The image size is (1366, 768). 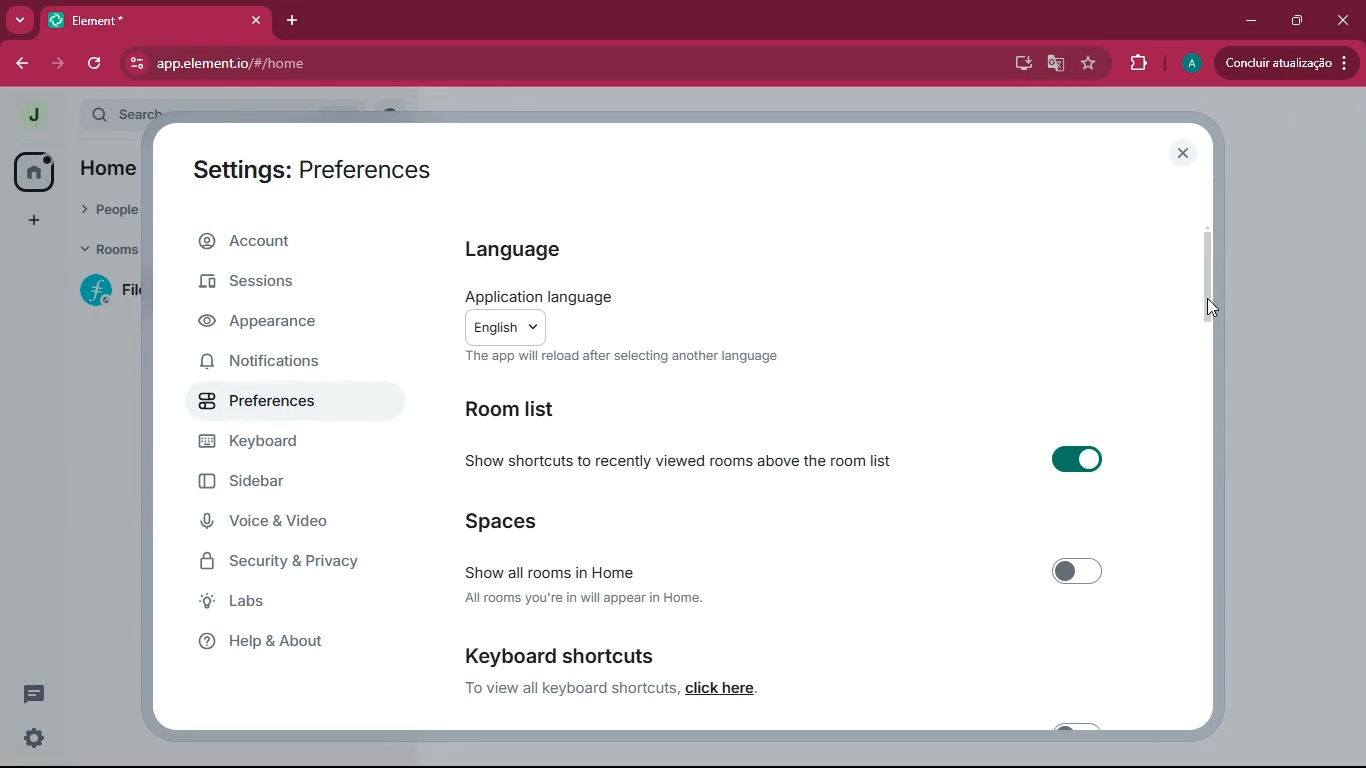 I want to click on All rooms you're in will appear in Home., so click(x=591, y=600).